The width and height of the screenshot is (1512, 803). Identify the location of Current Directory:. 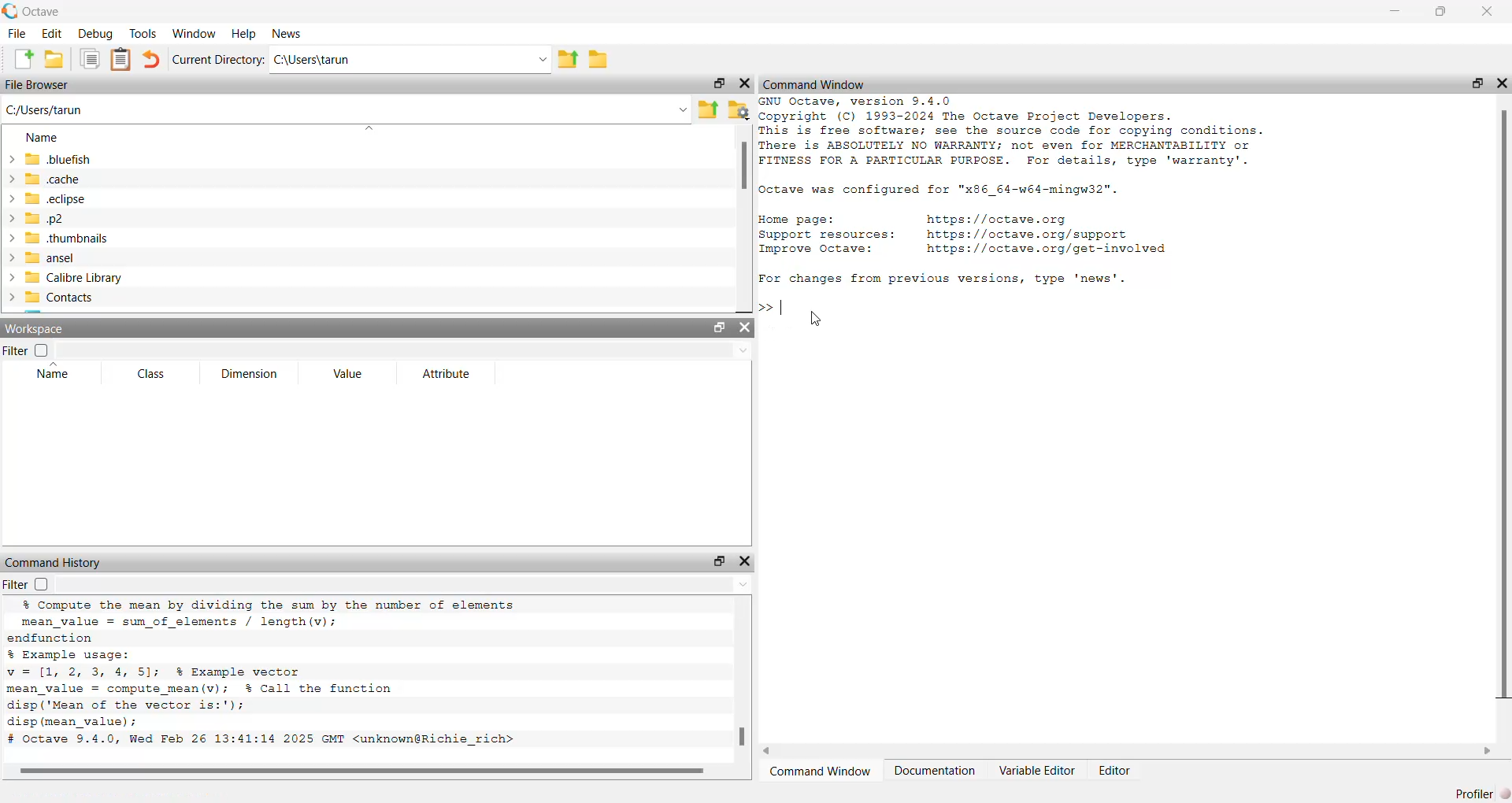
(219, 60).